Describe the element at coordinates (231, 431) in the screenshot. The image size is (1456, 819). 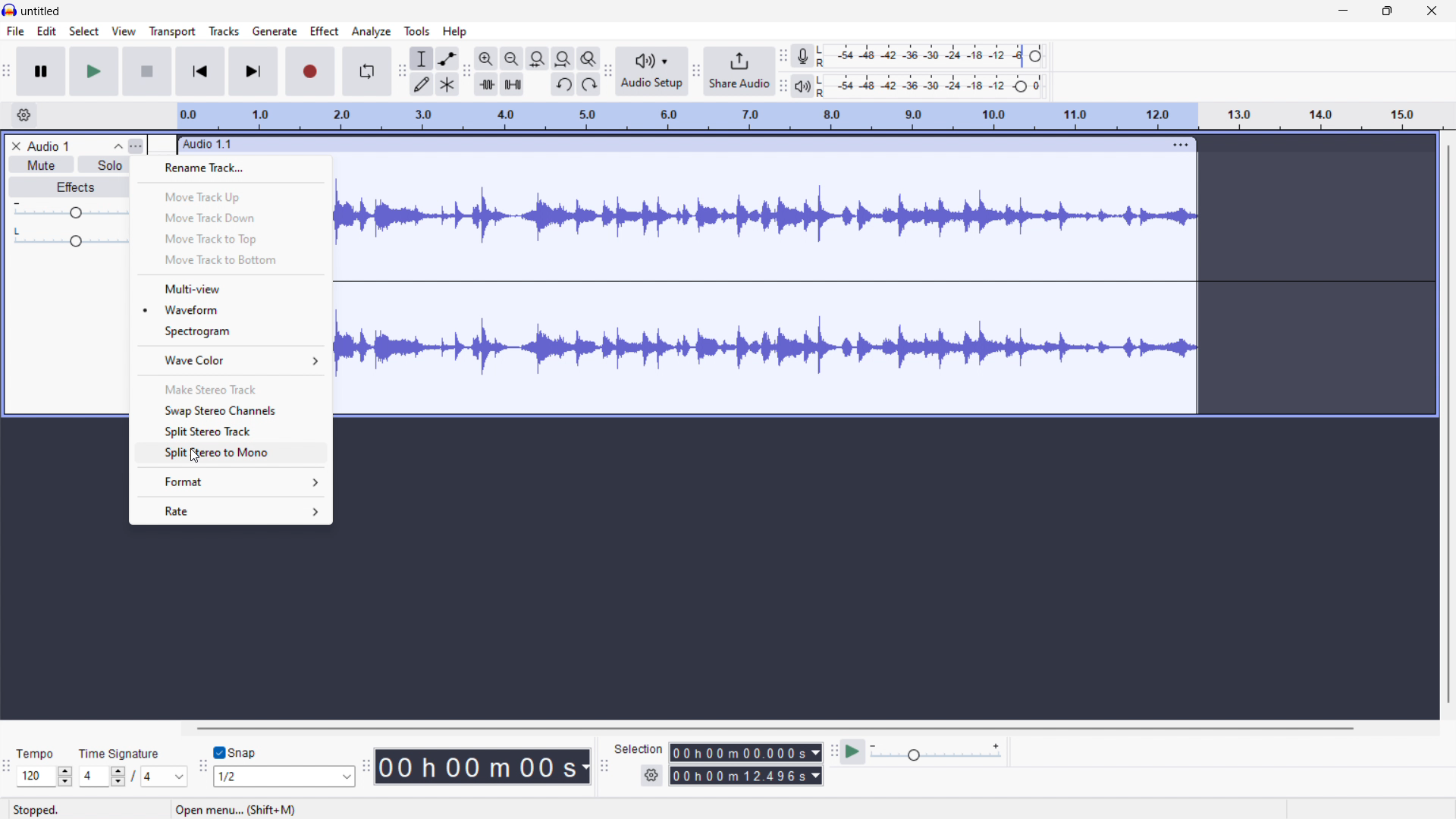
I see `split stereo track` at that location.